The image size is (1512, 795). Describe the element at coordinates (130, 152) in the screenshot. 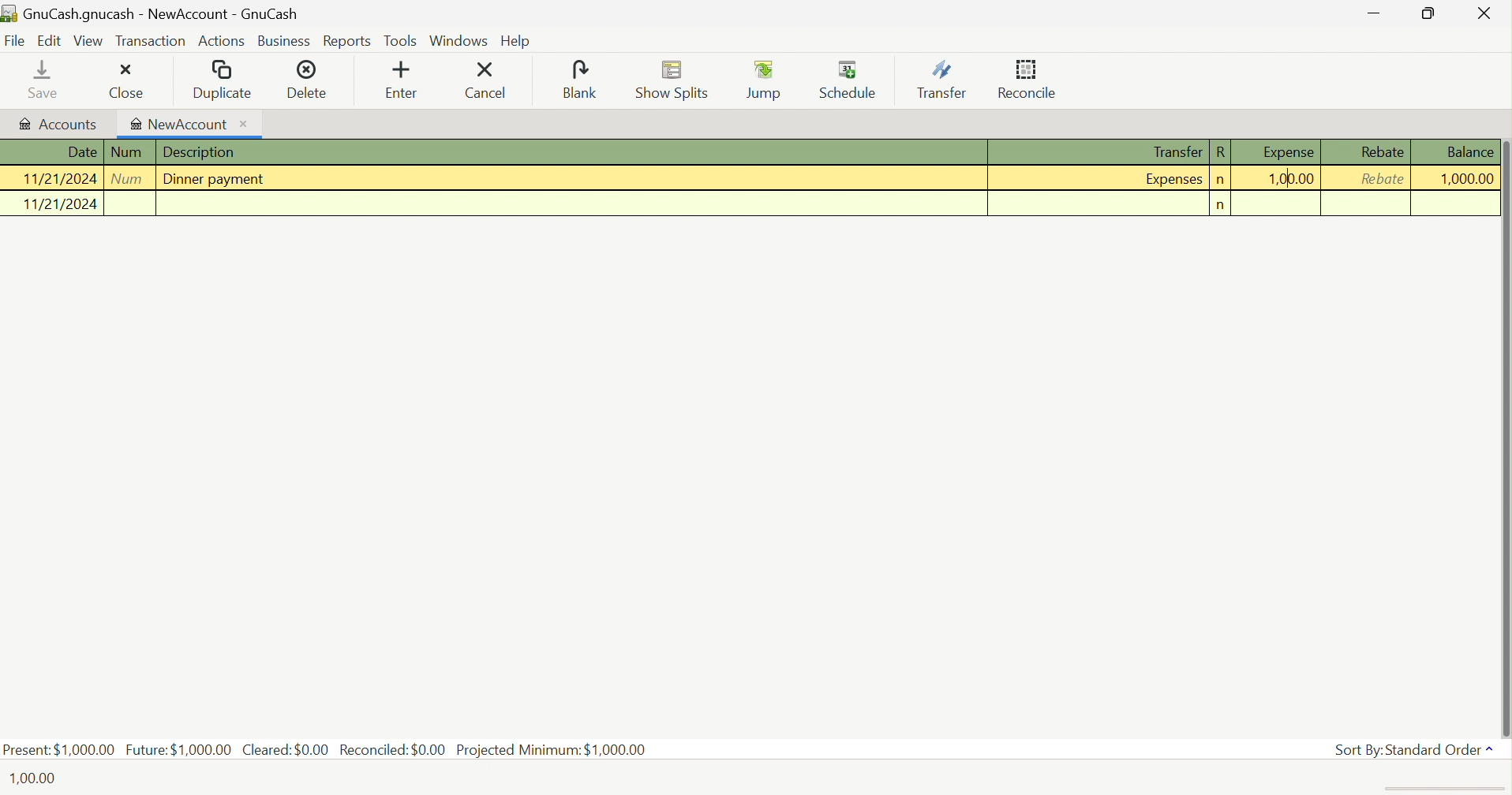

I see `Num` at that location.